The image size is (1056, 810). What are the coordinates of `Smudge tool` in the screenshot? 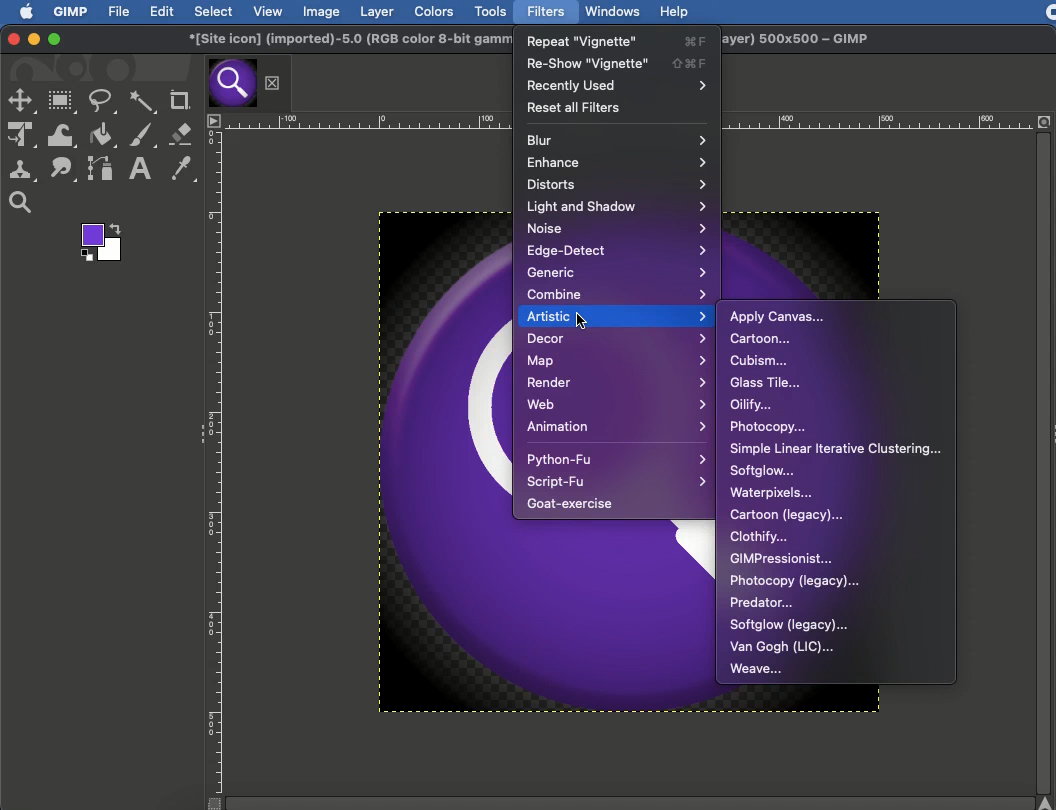 It's located at (64, 170).